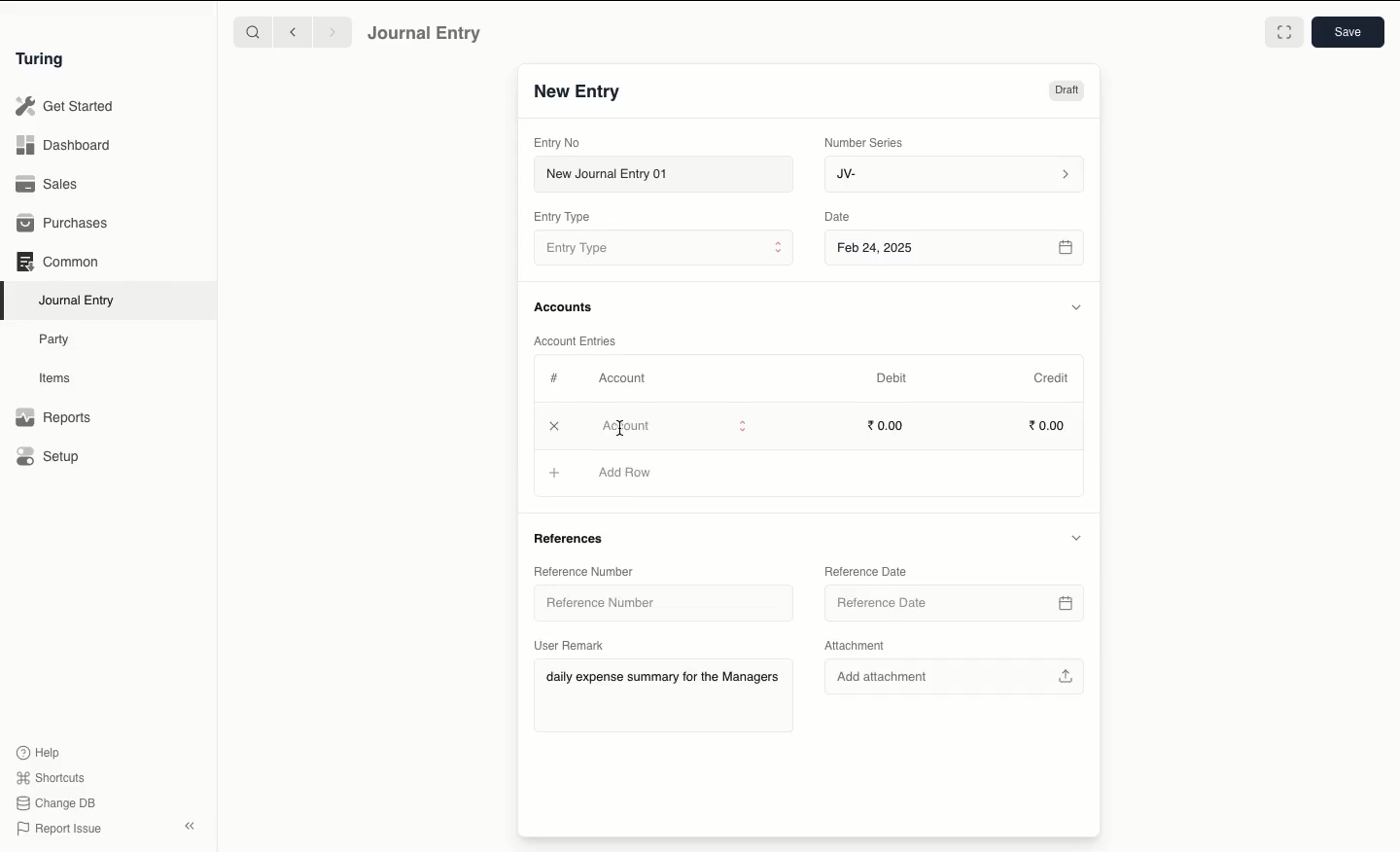 The image size is (1400, 852). I want to click on daily expense summary for the Managers, so click(661, 678).